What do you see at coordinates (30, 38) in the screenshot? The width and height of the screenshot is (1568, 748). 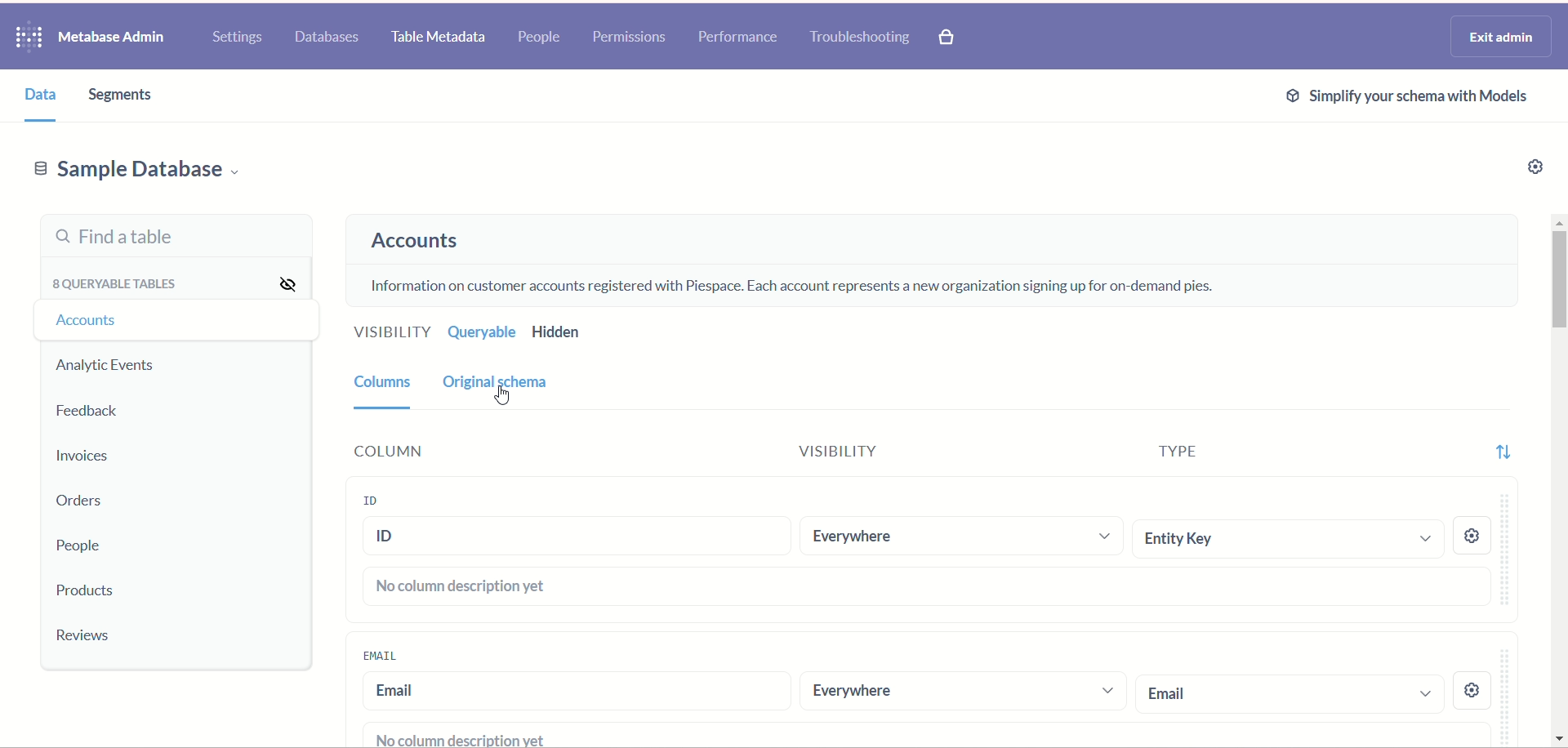 I see `logo` at bounding box center [30, 38].